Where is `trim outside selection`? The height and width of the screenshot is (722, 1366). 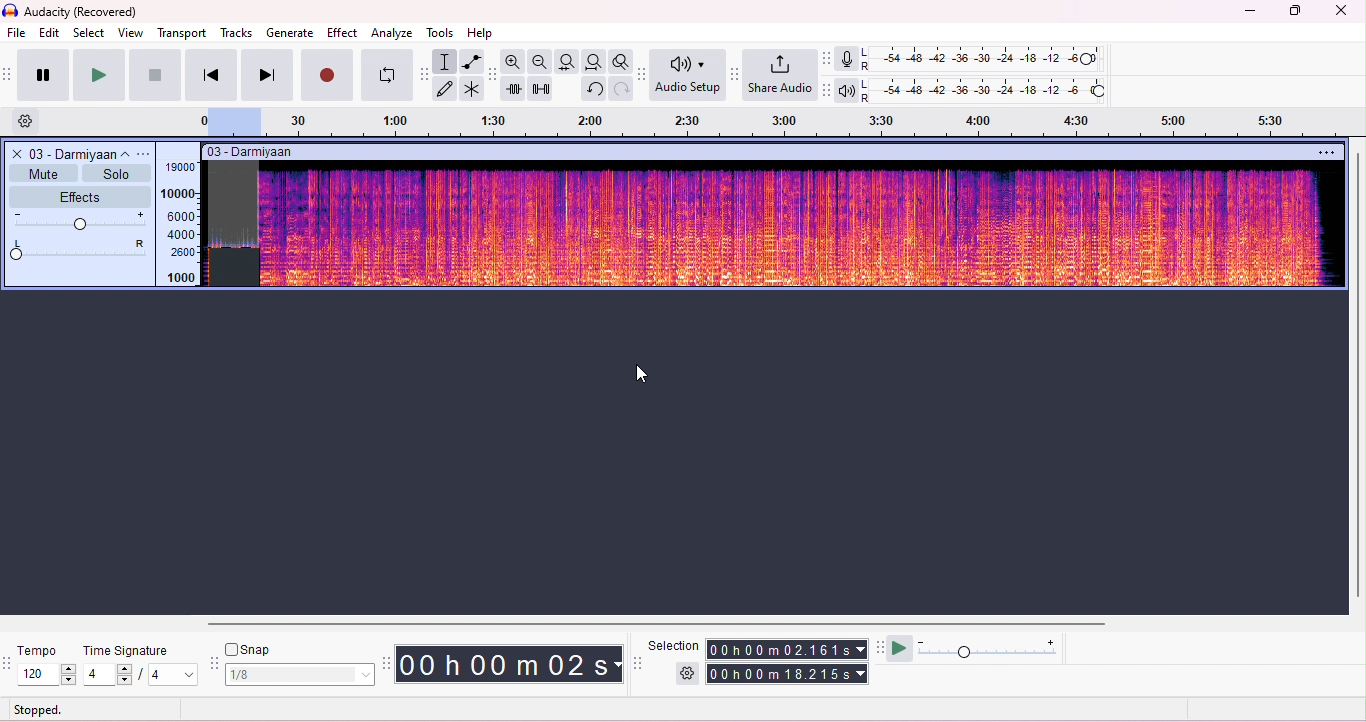 trim outside selection is located at coordinates (515, 88).